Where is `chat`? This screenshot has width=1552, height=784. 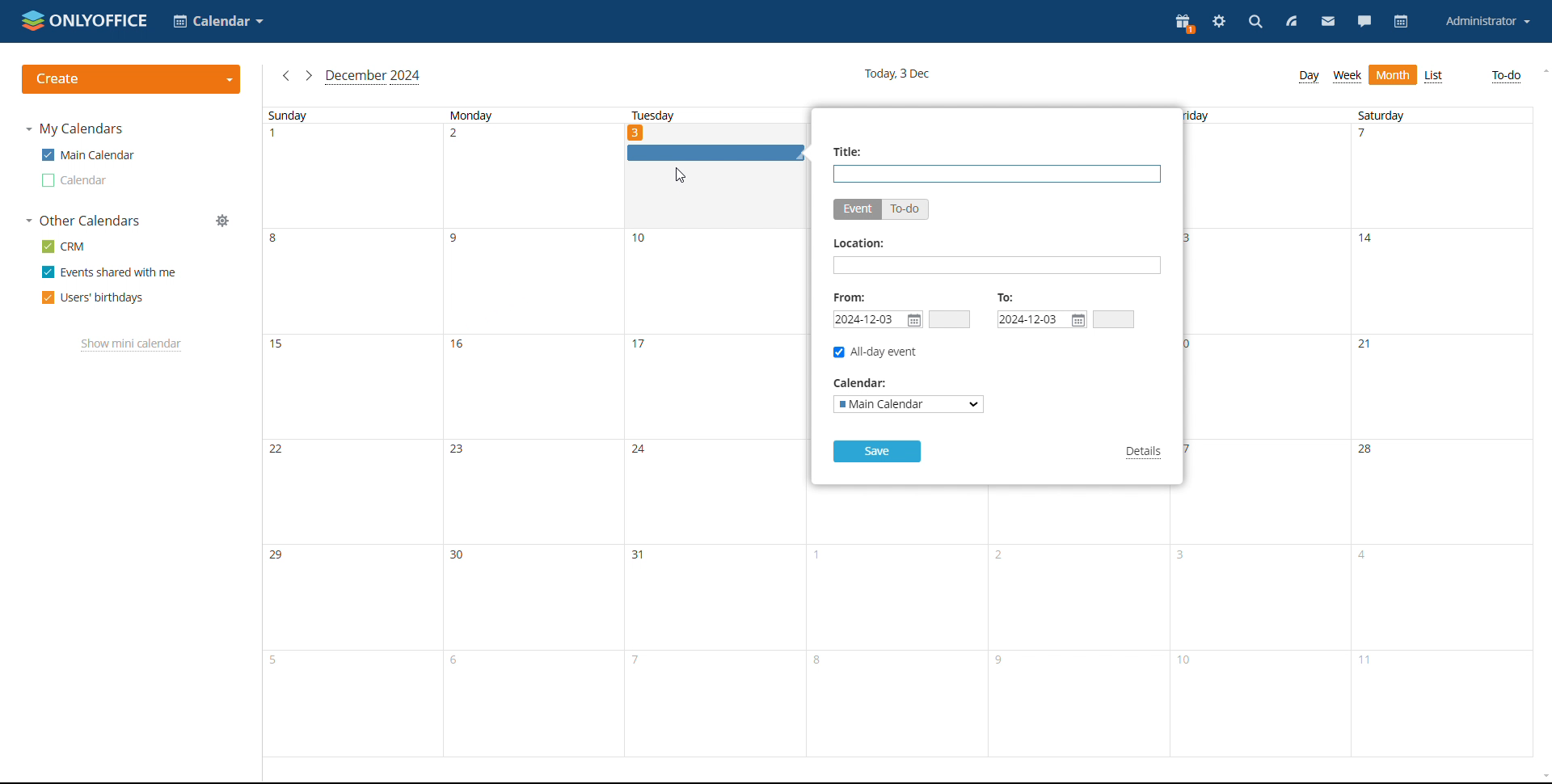 chat is located at coordinates (1364, 22).